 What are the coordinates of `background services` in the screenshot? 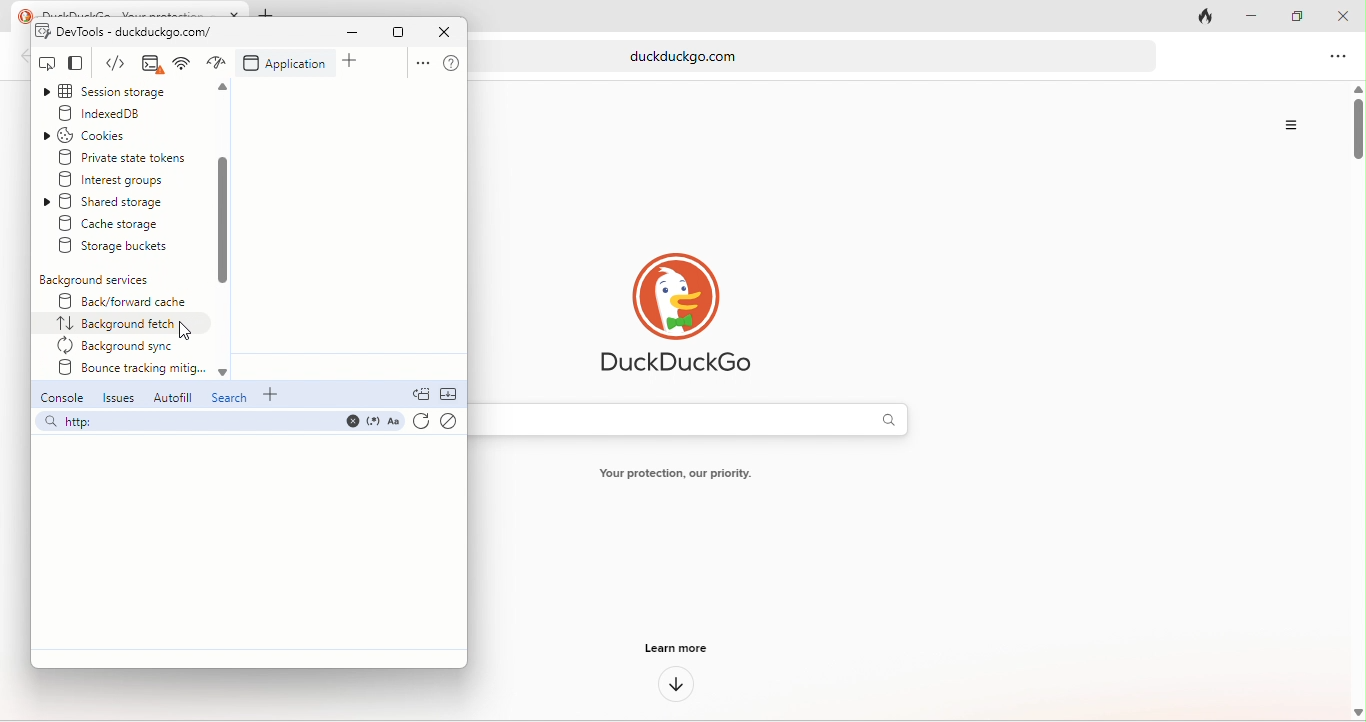 It's located at (98, 280).